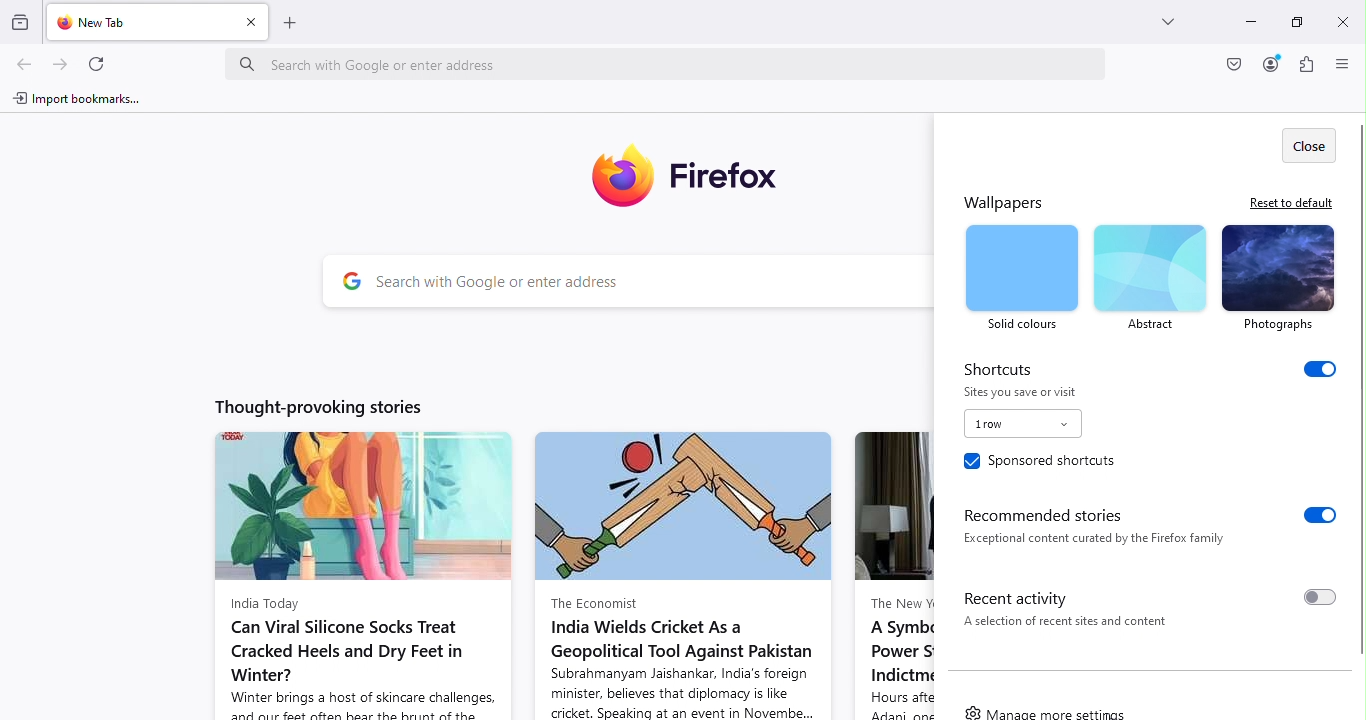  Describe the element at coordinates (1021, 276) in the screenshot. I see `Solid colors` at that location.